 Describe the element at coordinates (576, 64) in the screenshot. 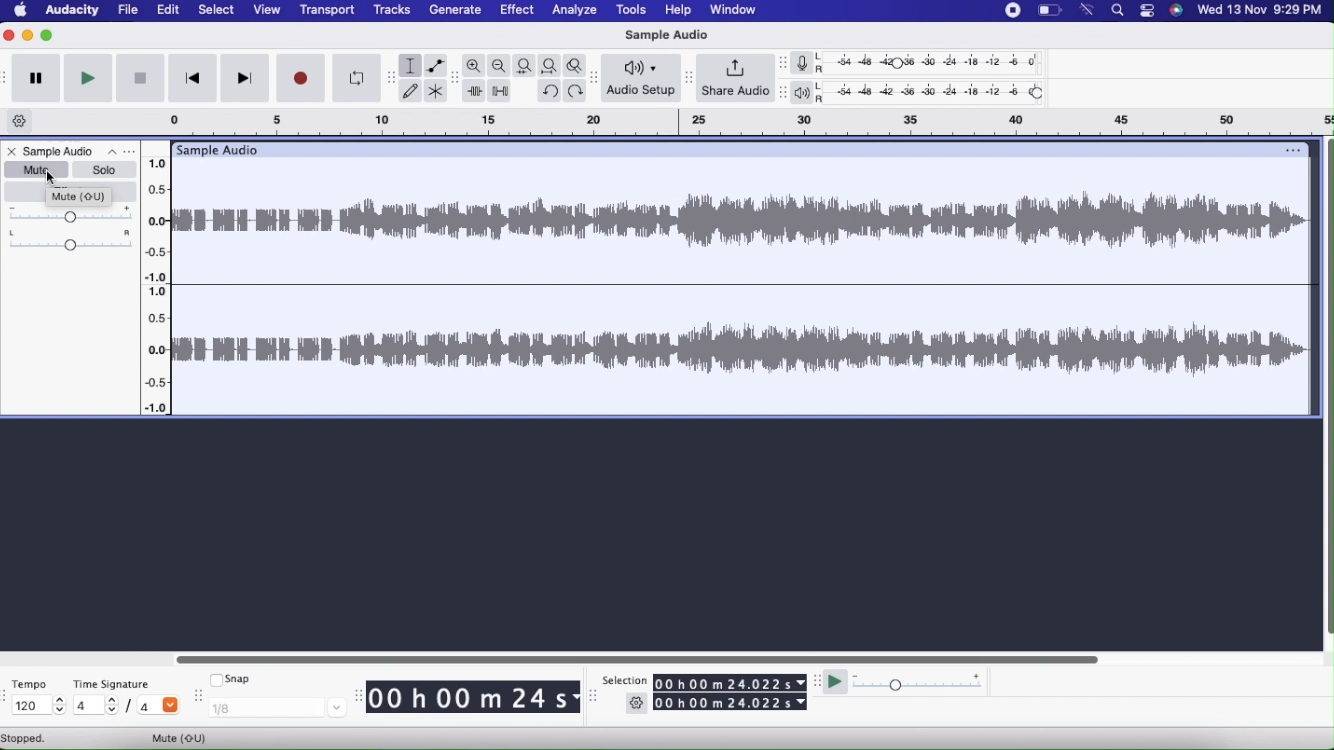

I see `Zoom toggle` at that location.